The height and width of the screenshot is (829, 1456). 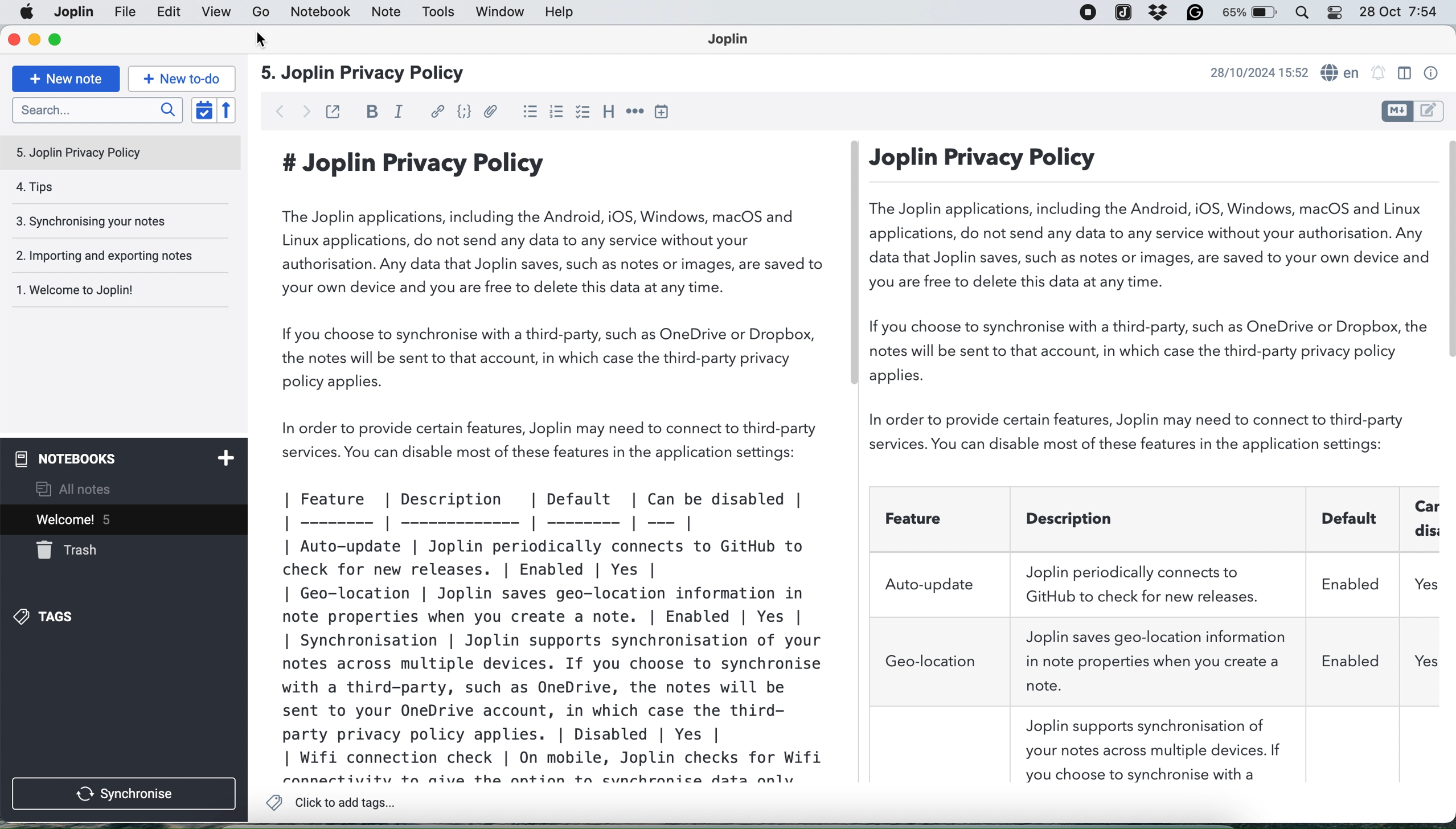 What do you see at coordinates (73, 489) in the screenshot?
I see `all notes` at bounding box center [73, 489].